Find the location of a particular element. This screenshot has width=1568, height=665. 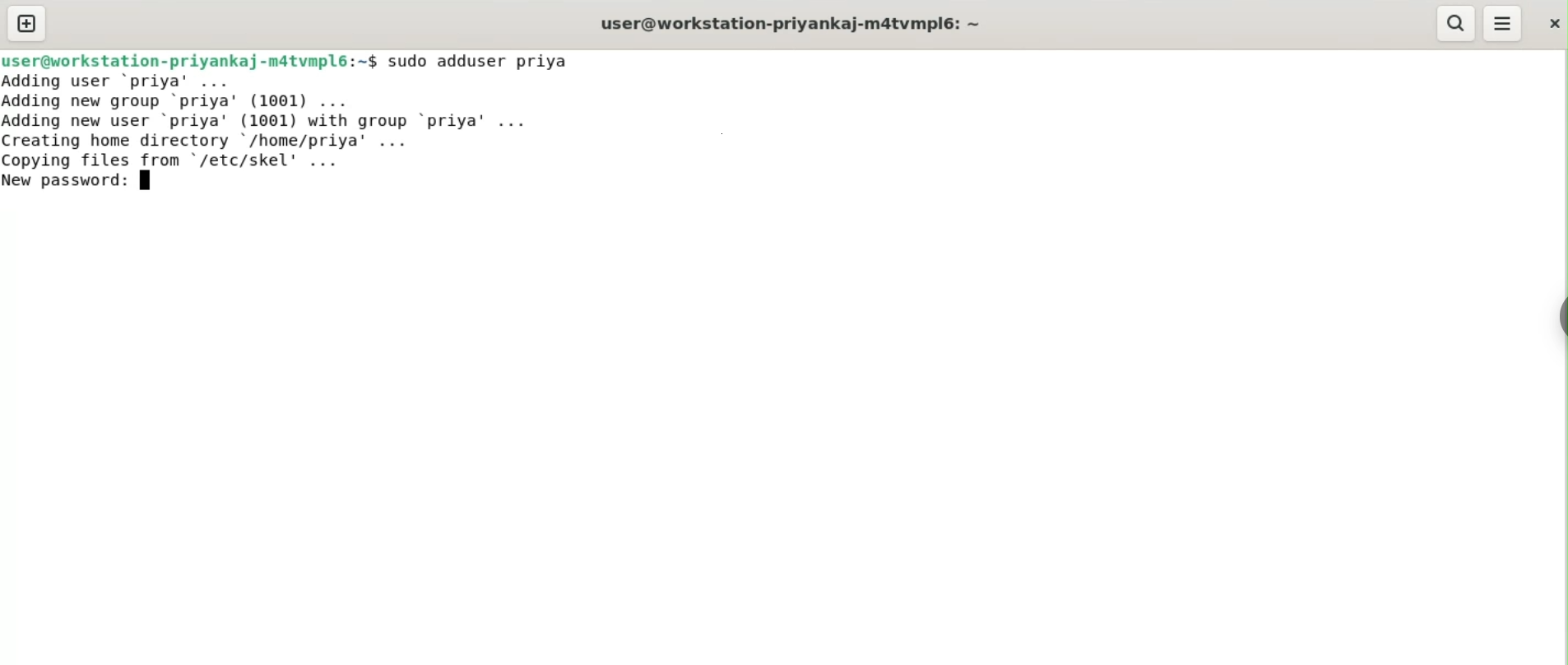

sudo adduser priya is located at coordinates (480, 61).